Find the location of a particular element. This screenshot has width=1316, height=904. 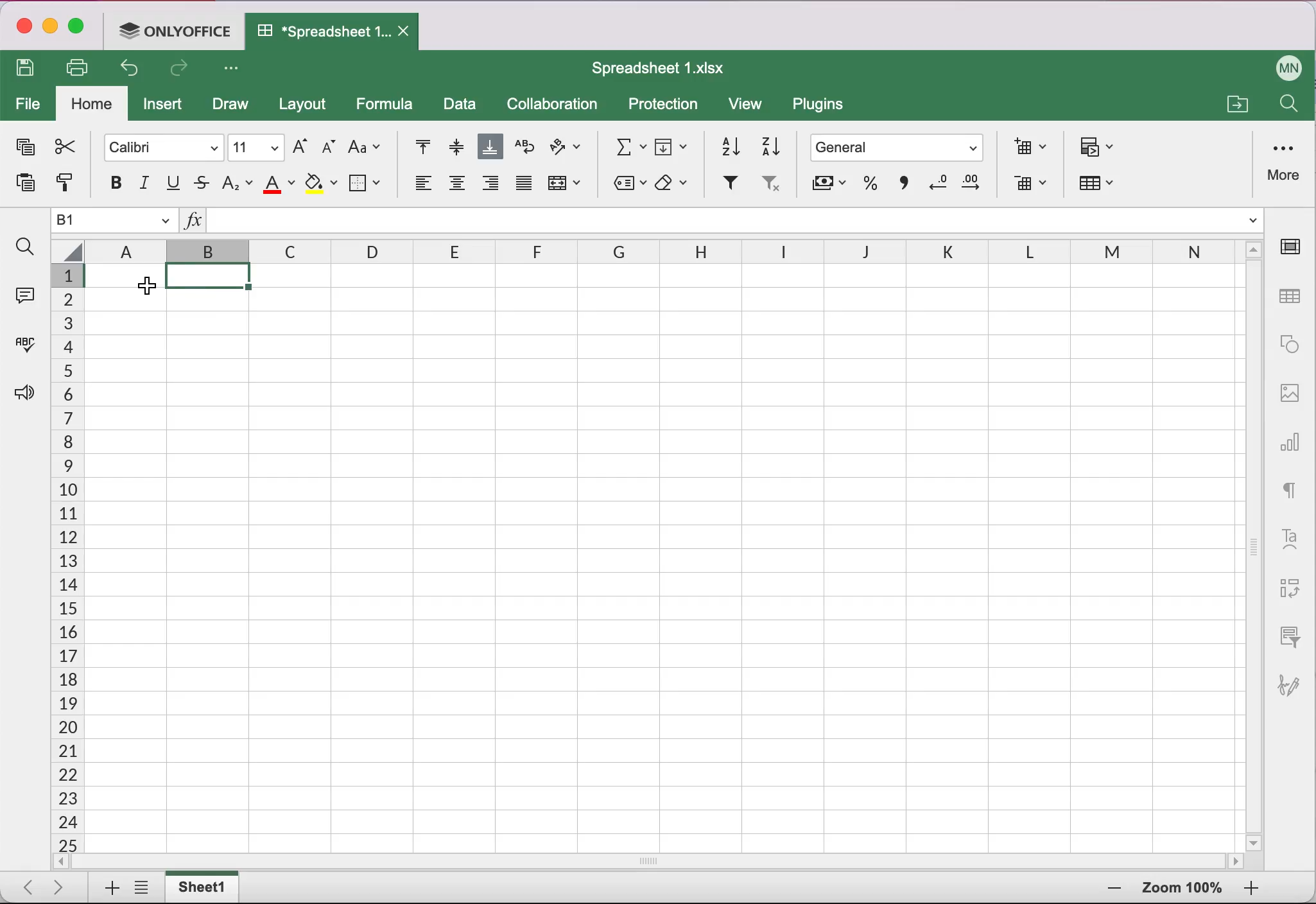

subscript/superscript is located at coordinates (238, 182).